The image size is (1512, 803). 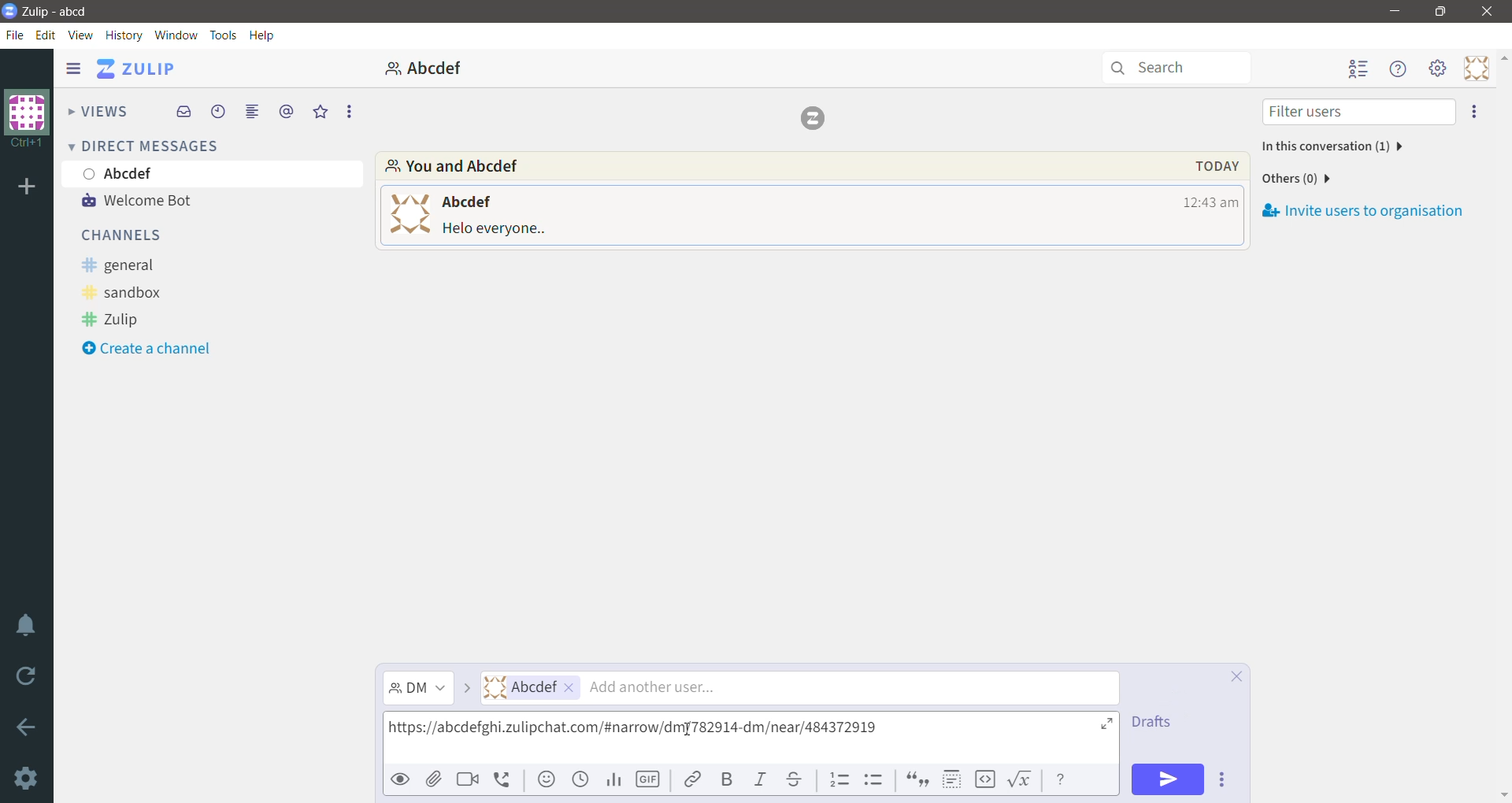 What do you see at coordinates (400, 781) in the screenshot?
I see `Preview` at bounding box center [400, 781].